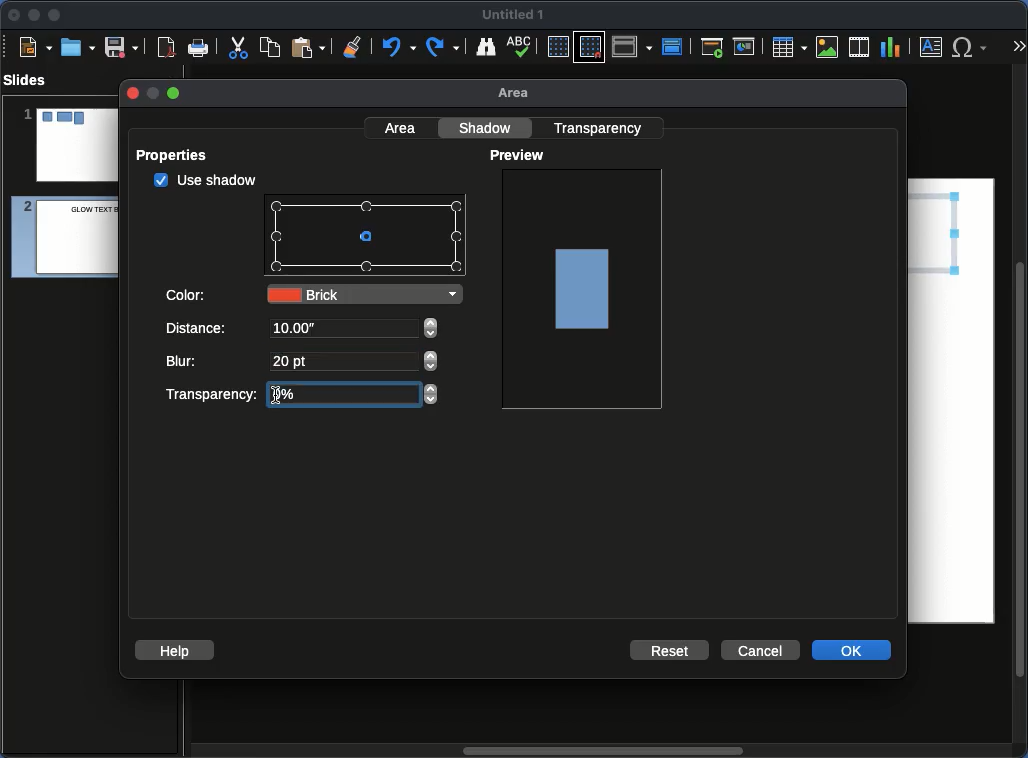  What do you see at coordinates (853, 649) in the screenshot?
I see `OK` at bounding box center [853, 649].